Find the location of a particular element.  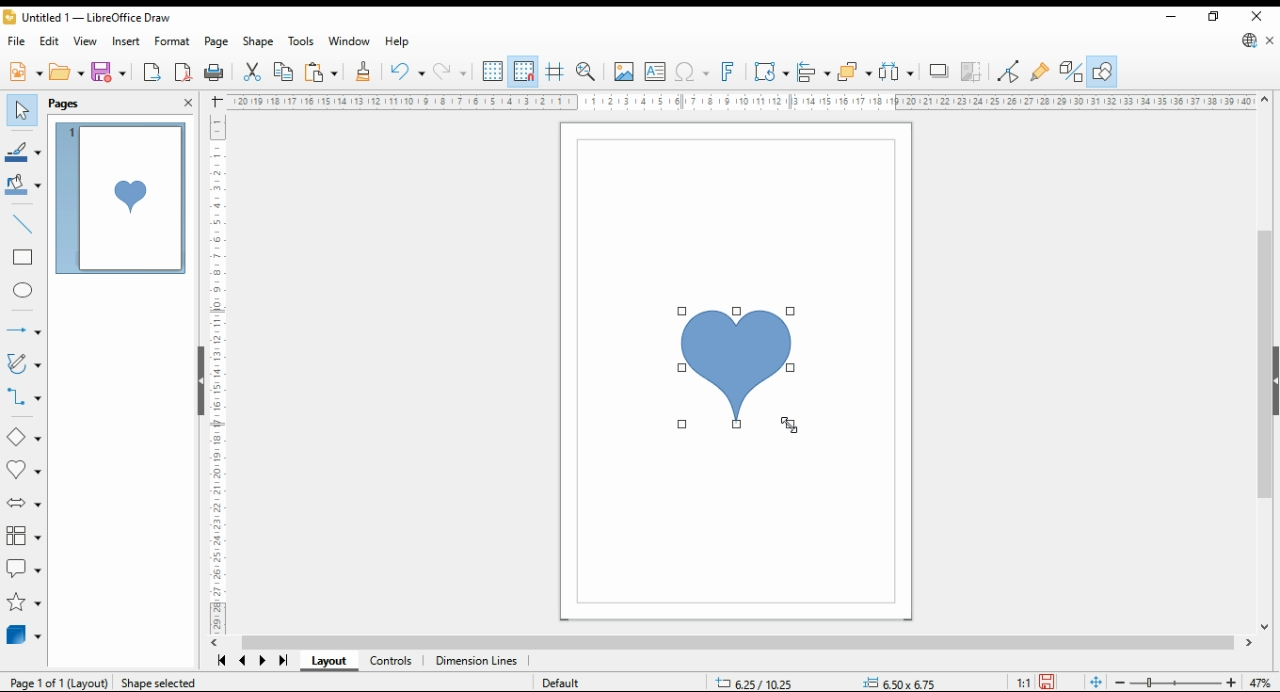

stars and banners is located at coordinates (23, 603).